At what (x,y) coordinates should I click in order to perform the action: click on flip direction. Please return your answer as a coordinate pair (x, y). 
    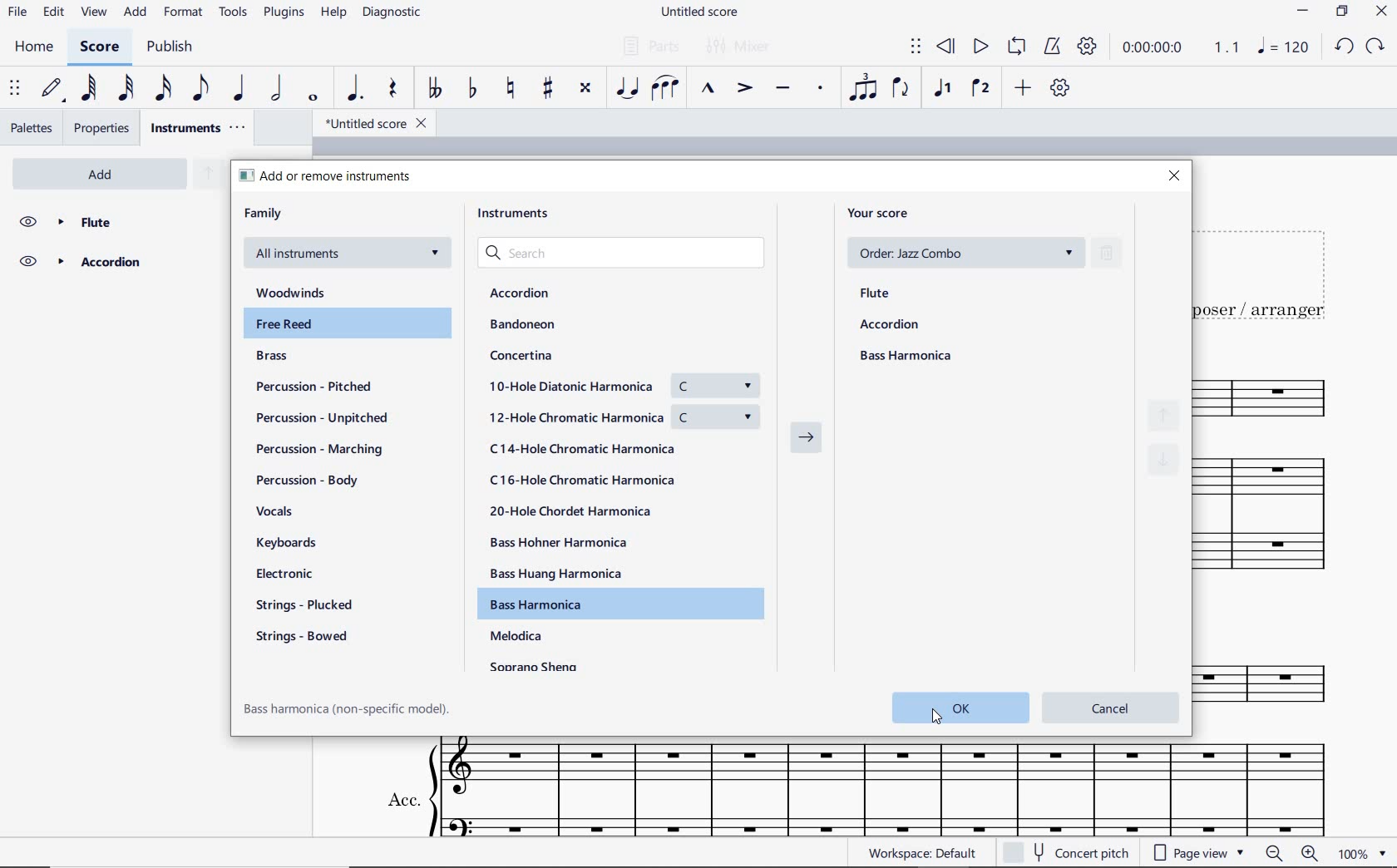
    Looking at the image, I should click on (902, 89).